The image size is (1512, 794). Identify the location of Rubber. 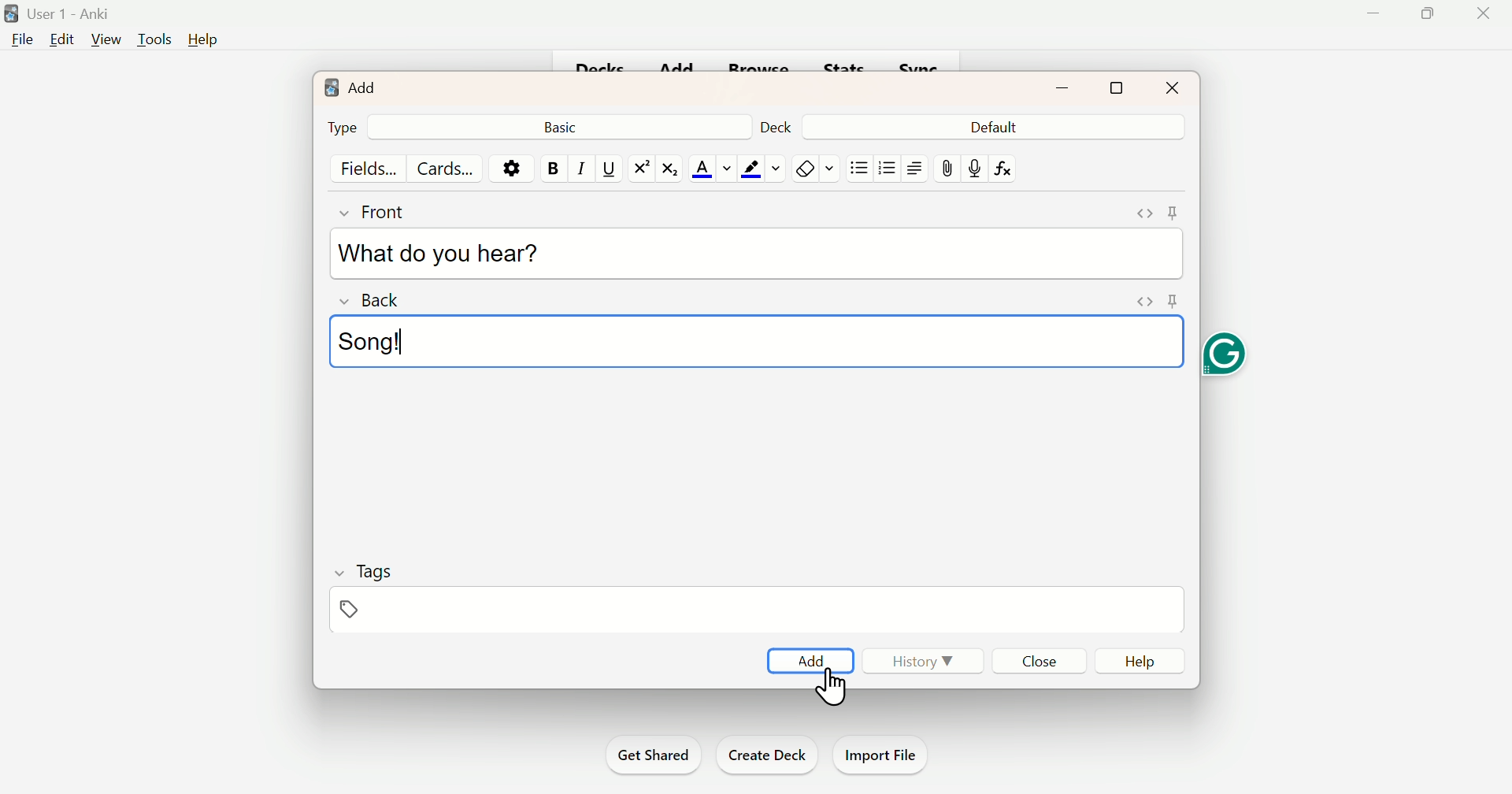
(816, 167).